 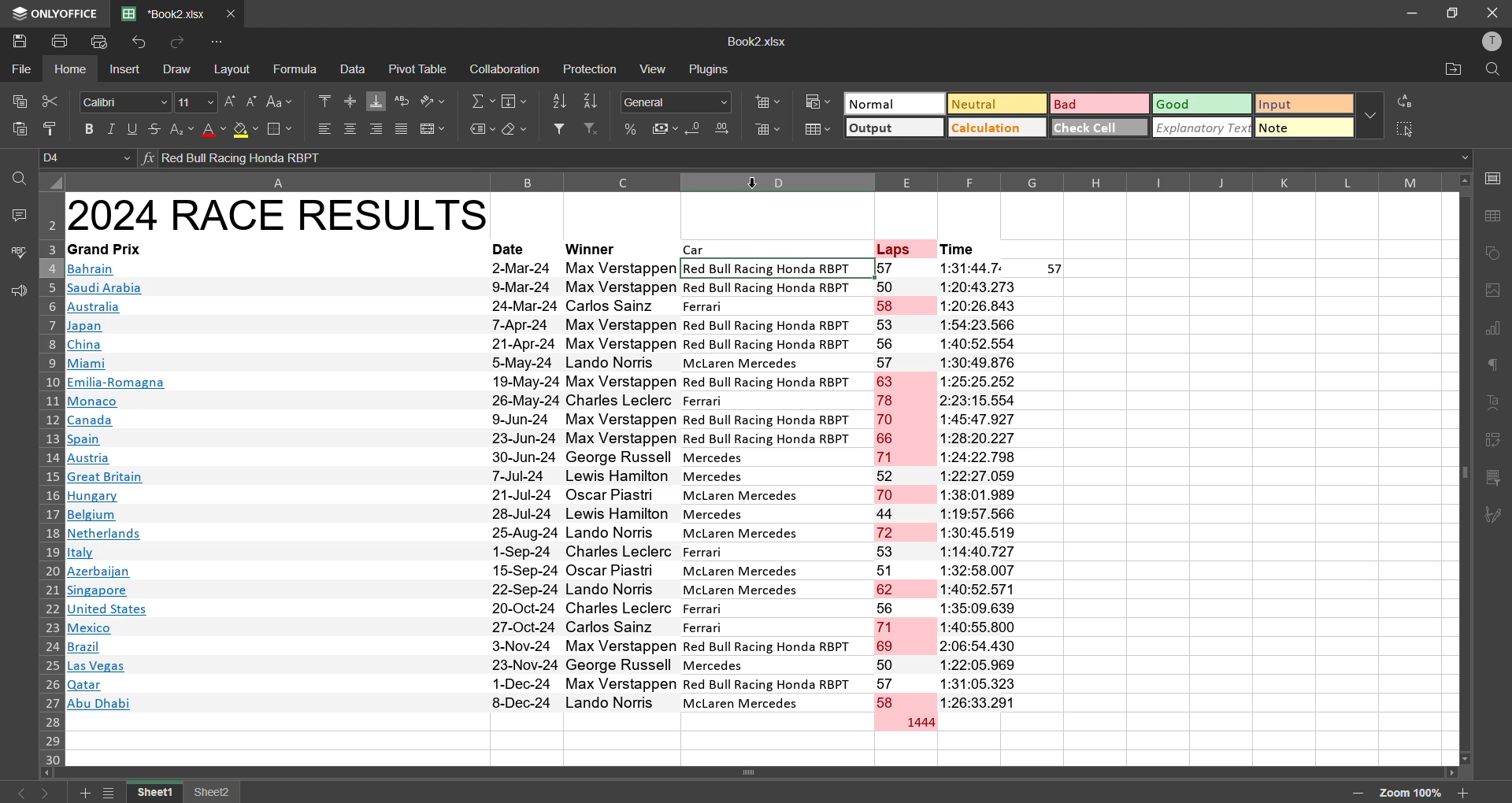 What do you see at coordinates (432, 101) in the screenshot?
I see `orientation` at bounding box center [432, 101].